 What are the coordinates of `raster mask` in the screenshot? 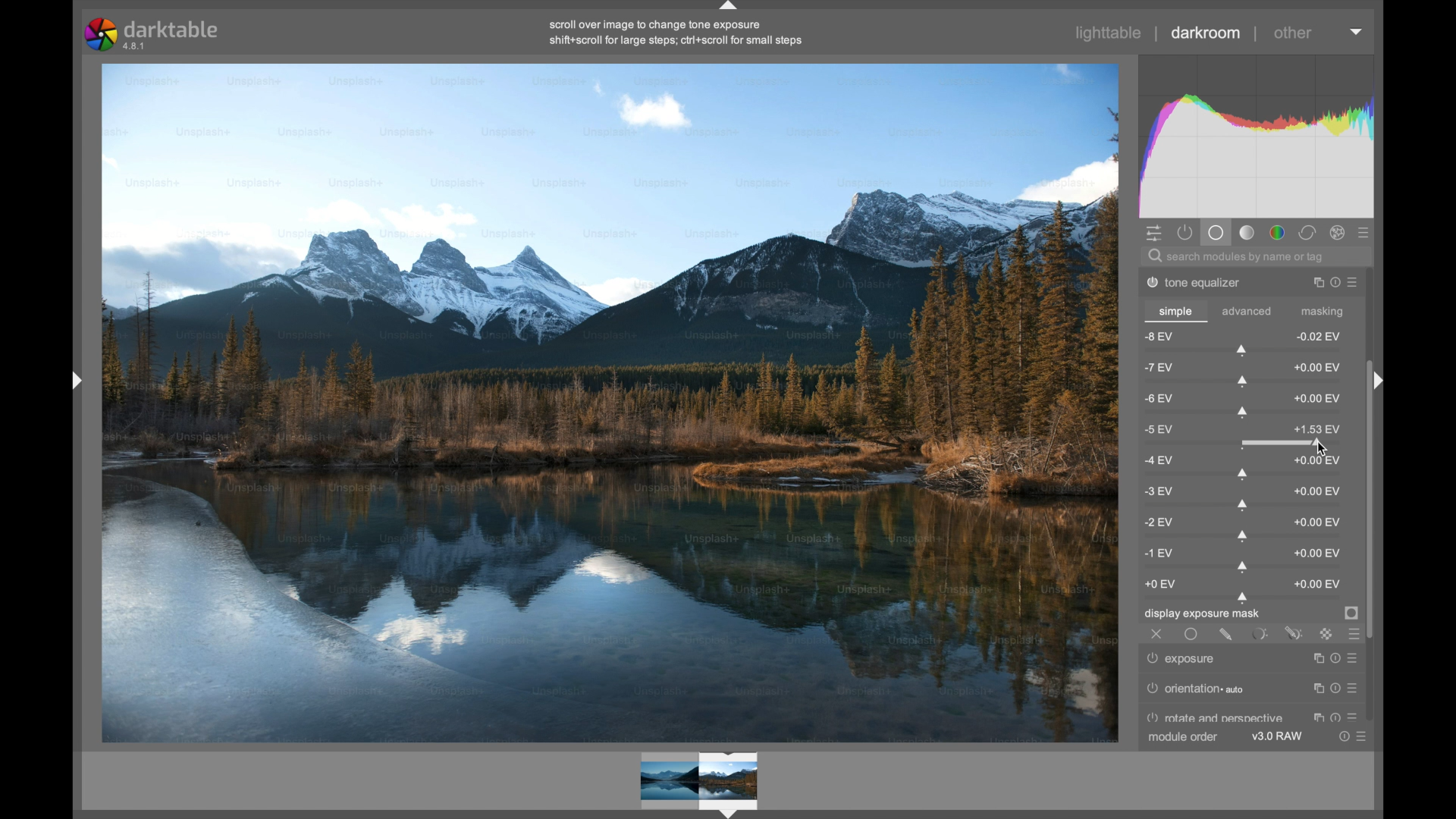 It's located at (1326, 635).